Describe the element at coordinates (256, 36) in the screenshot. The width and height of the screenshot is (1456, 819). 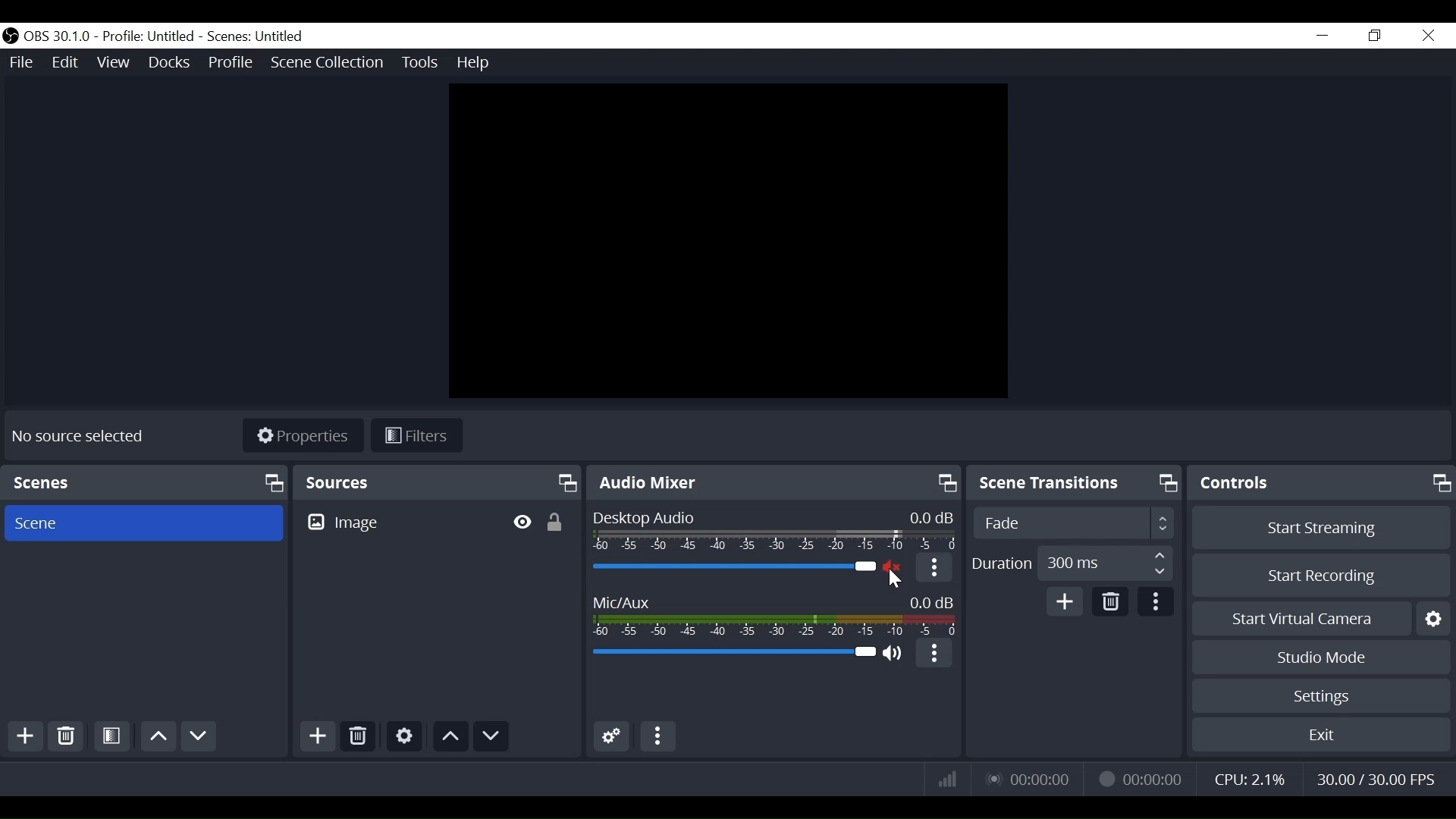
I see `Scenes Name` at that location.